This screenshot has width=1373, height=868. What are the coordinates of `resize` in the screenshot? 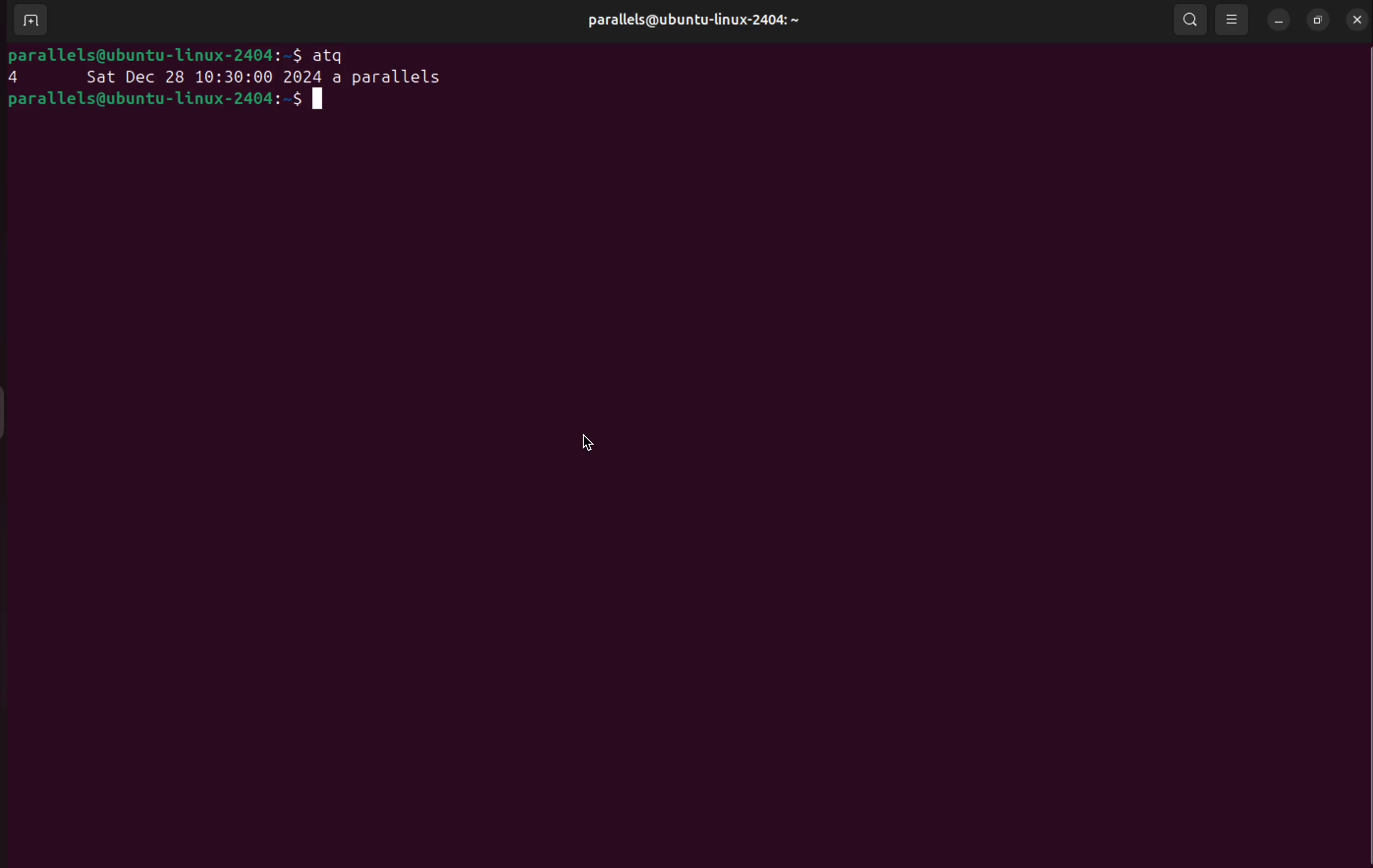 It's located at (1316, 19).